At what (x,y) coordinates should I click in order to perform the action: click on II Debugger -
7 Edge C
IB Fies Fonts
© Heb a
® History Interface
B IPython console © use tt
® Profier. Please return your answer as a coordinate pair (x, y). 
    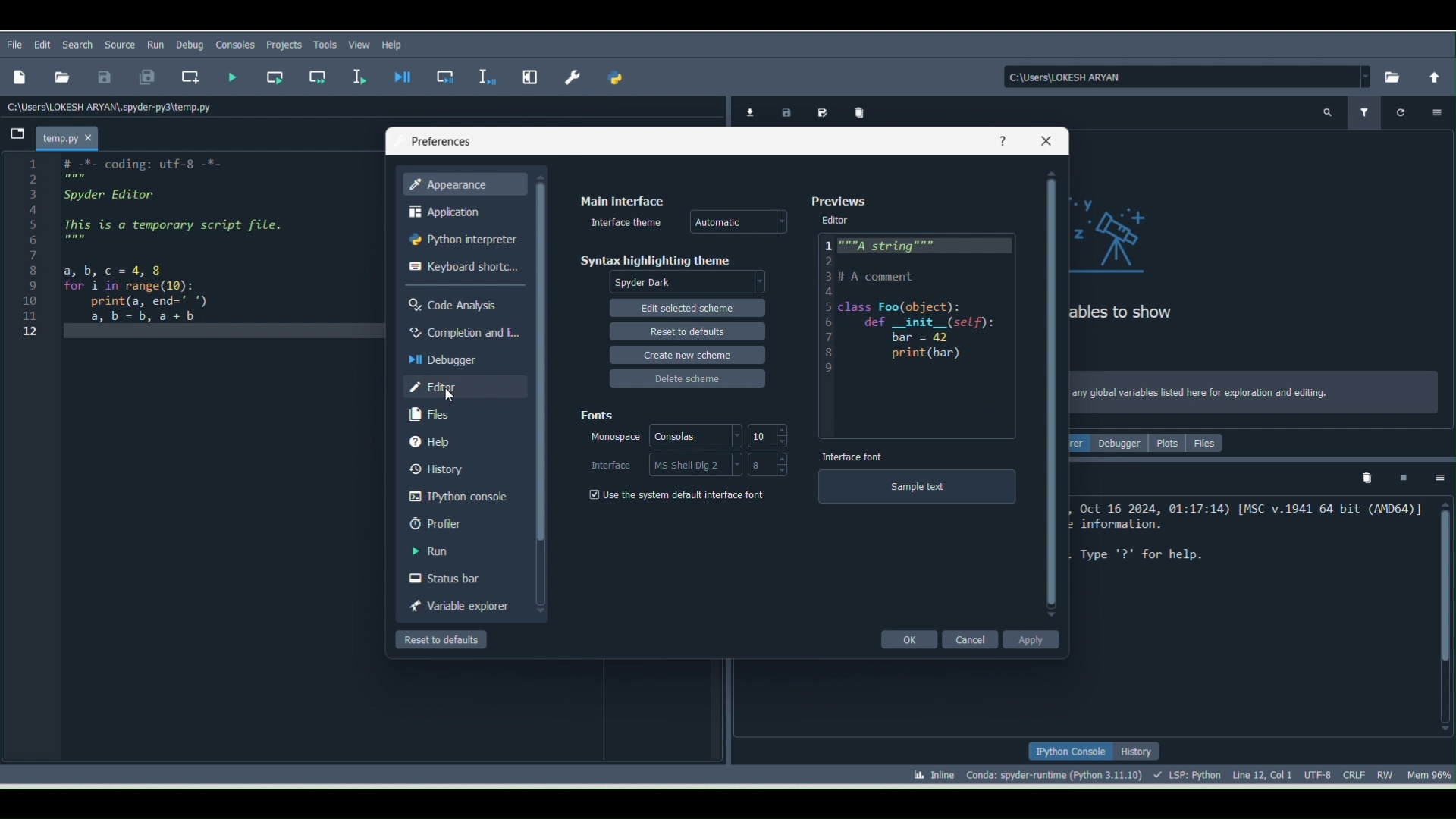
    Looking at the image, I should click on (165, 251).